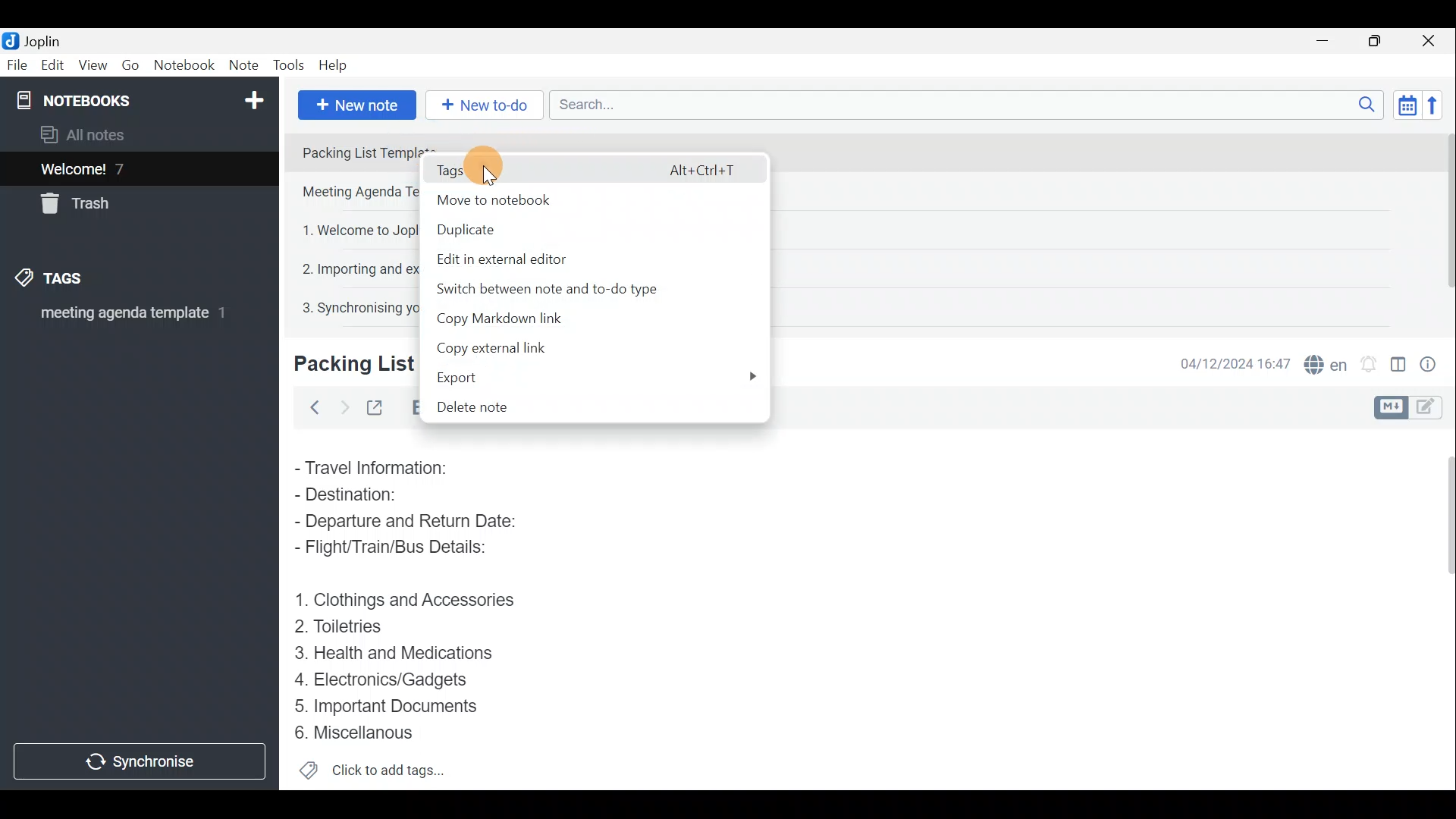 This screenshot has width=1456, height=819. I want to click on Note 4, so click(344, 266).